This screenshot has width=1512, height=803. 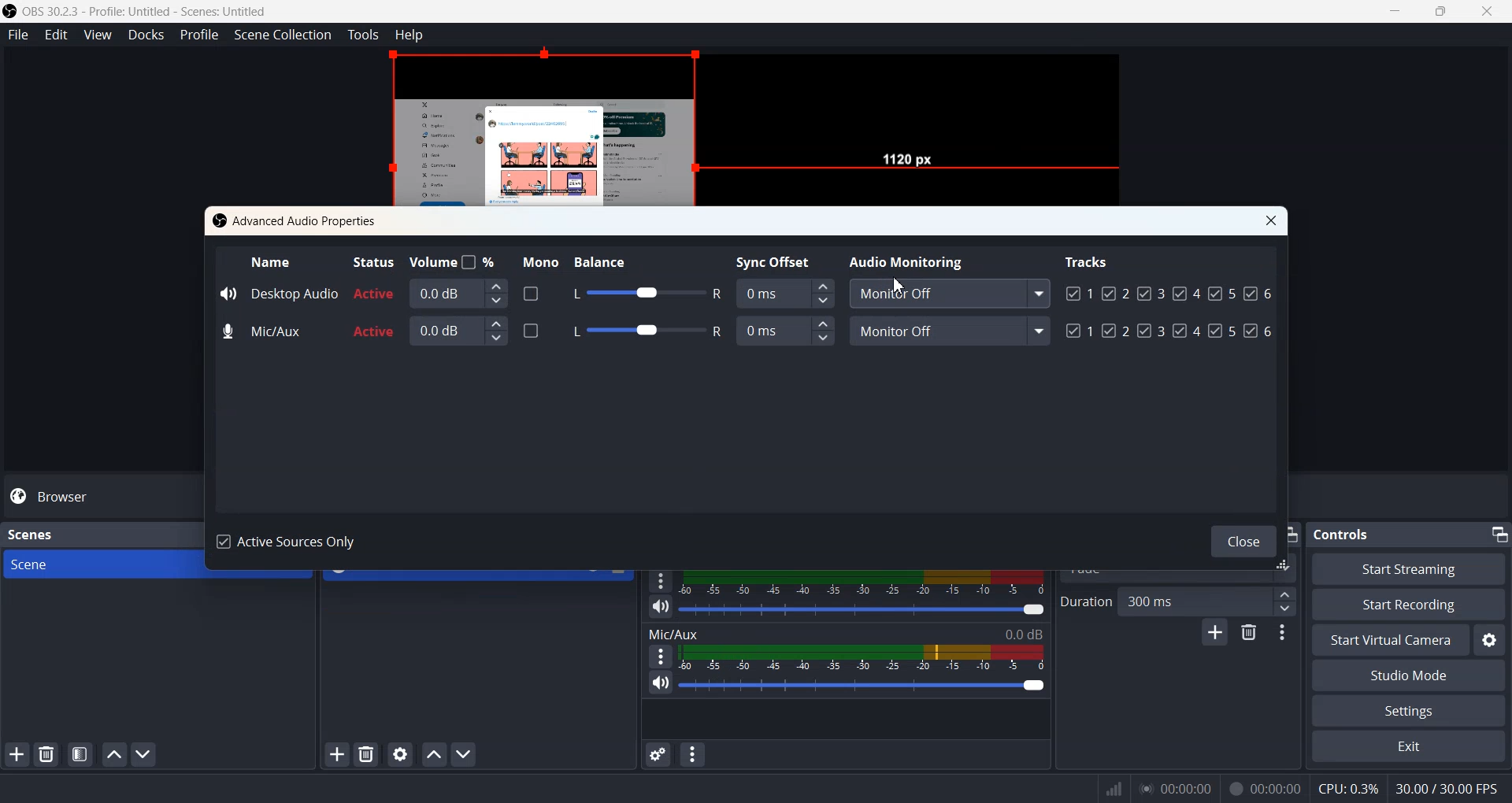 What do you see at coordinates (862, 657) in the screenshot?
I see `Volume Indicator` at bounding box center [862, 657].